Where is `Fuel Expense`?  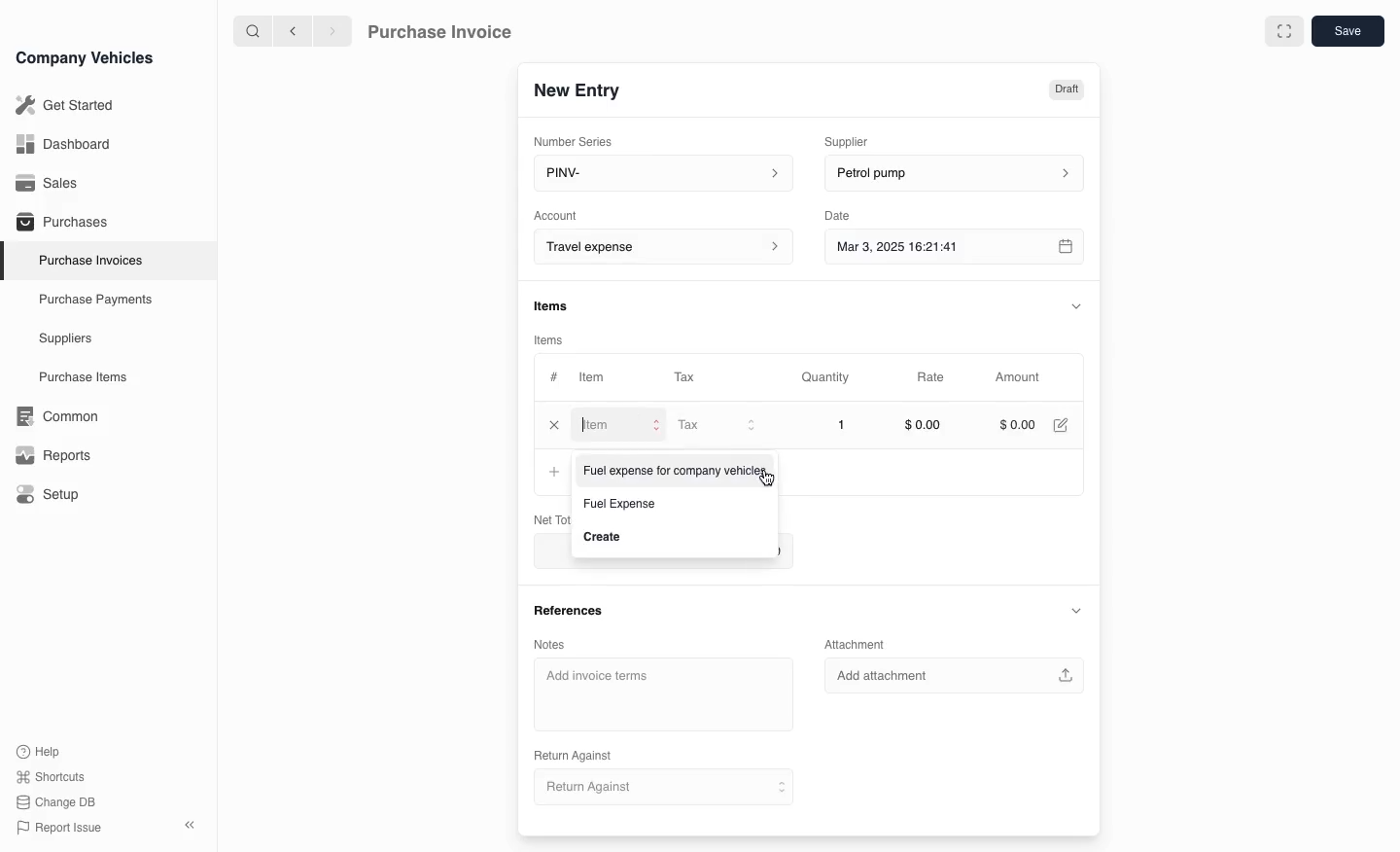
Fuel Expense is located at coordinates (619, 504).